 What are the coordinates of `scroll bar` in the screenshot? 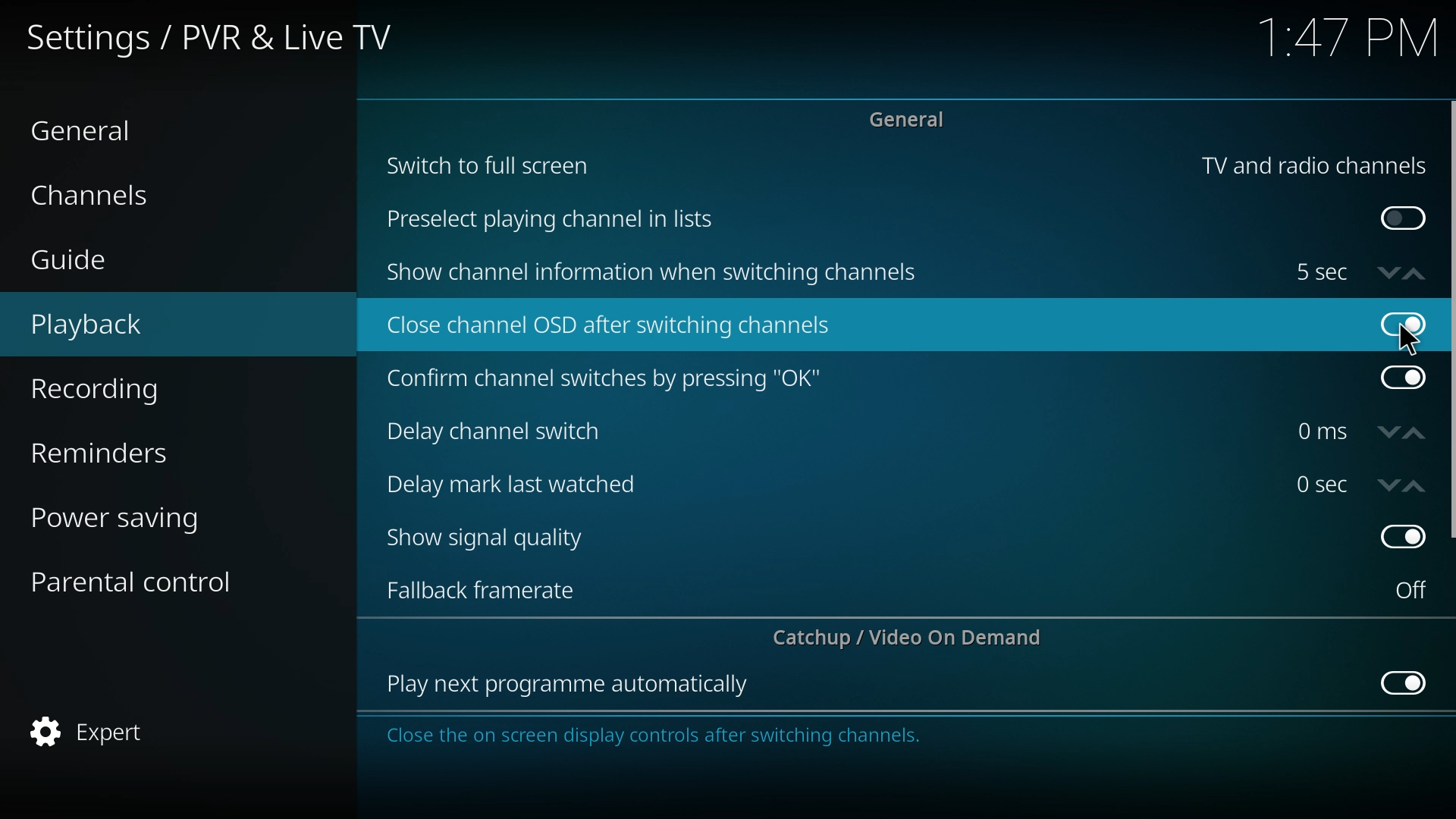 It's located at (1450, 320).